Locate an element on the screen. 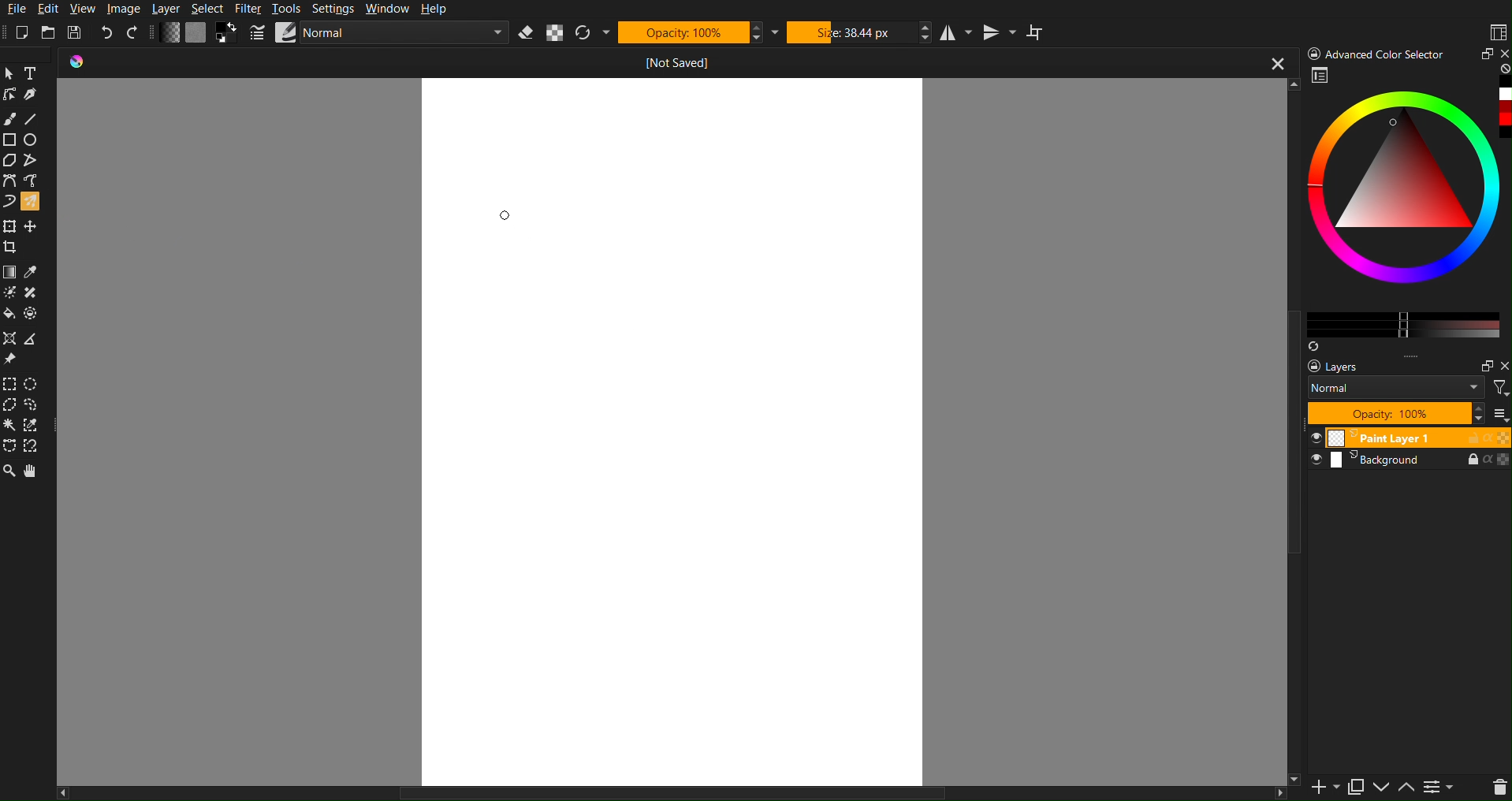  Path Selection Tool is located at coordinates (10, 446).